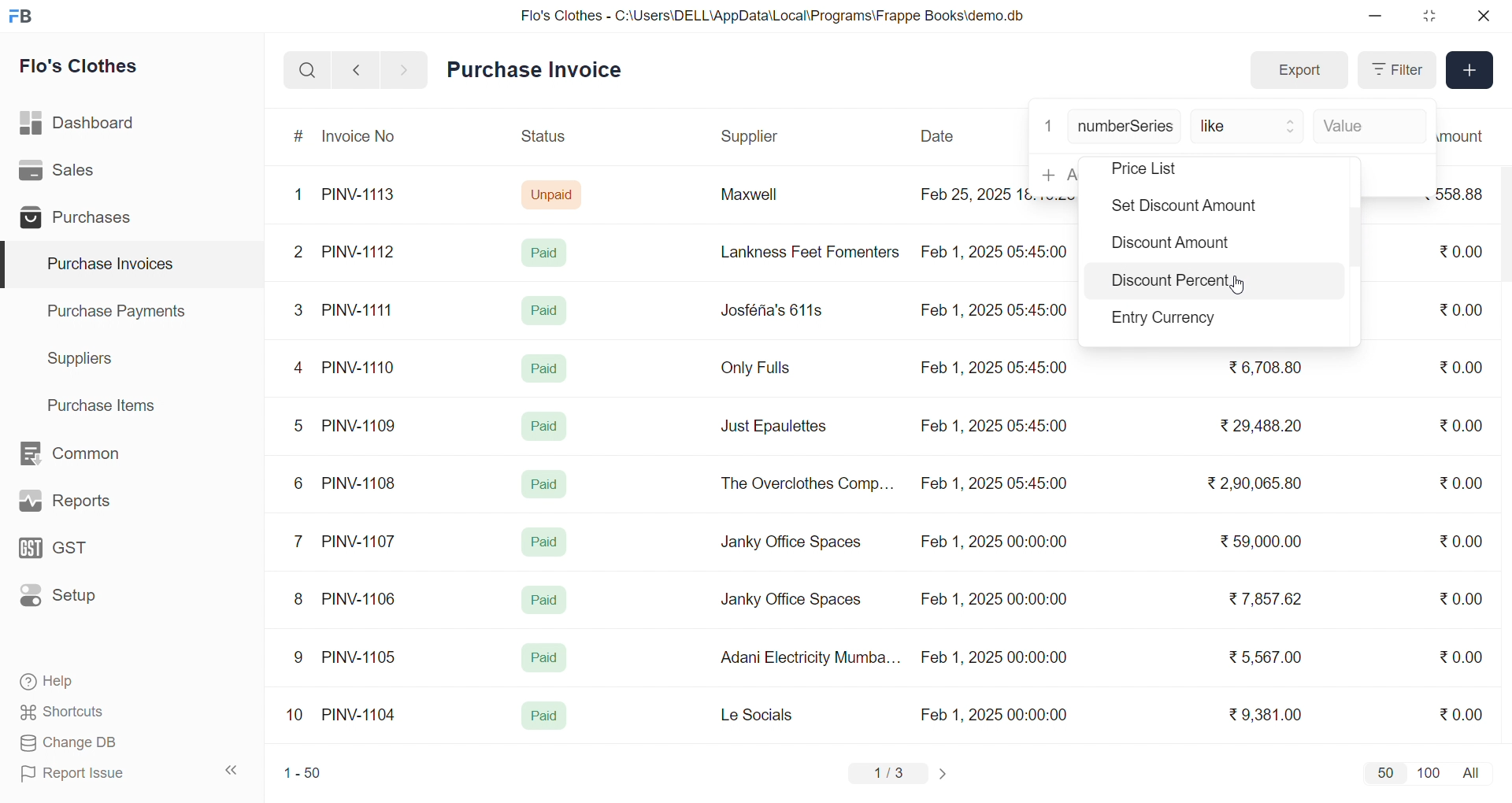  What do you see at coordinates (1377, 17) in the screenshot?
I see `minimize` at bounding box center [1377, 17].